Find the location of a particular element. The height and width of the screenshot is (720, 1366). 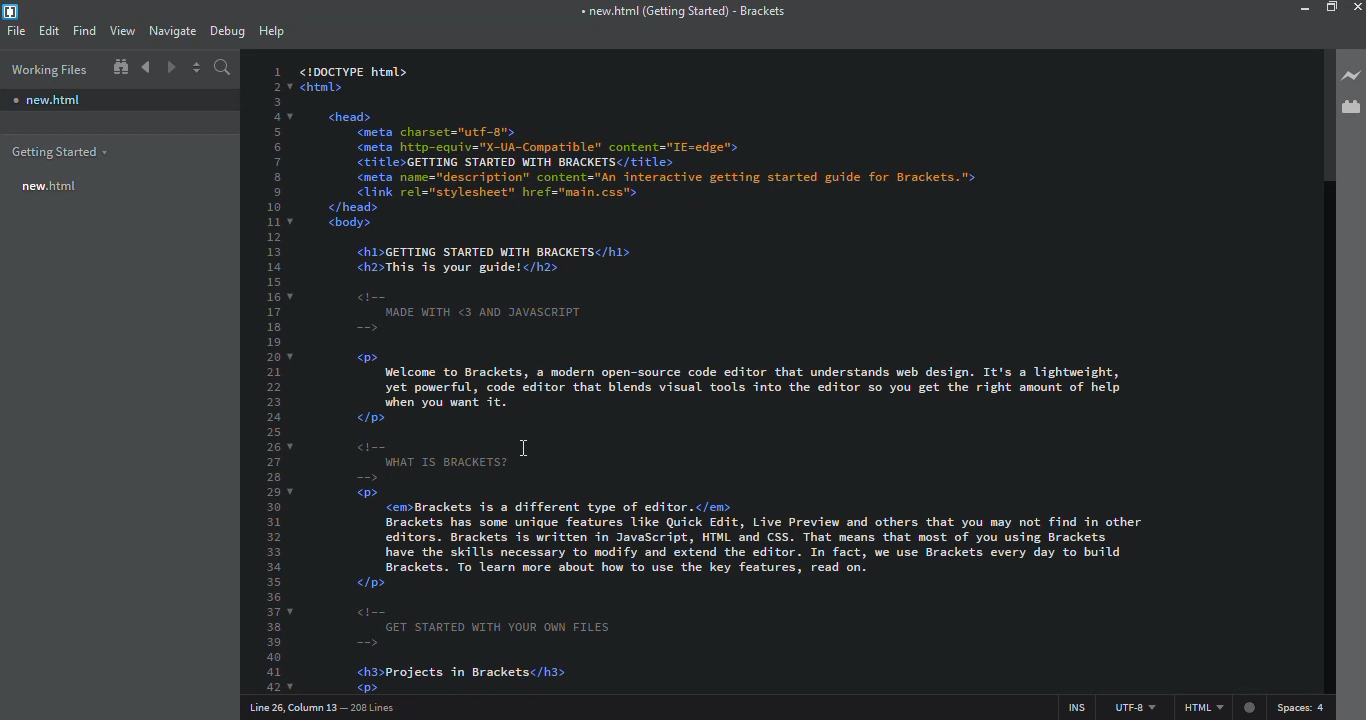

new is located at coordinates (48, 97).